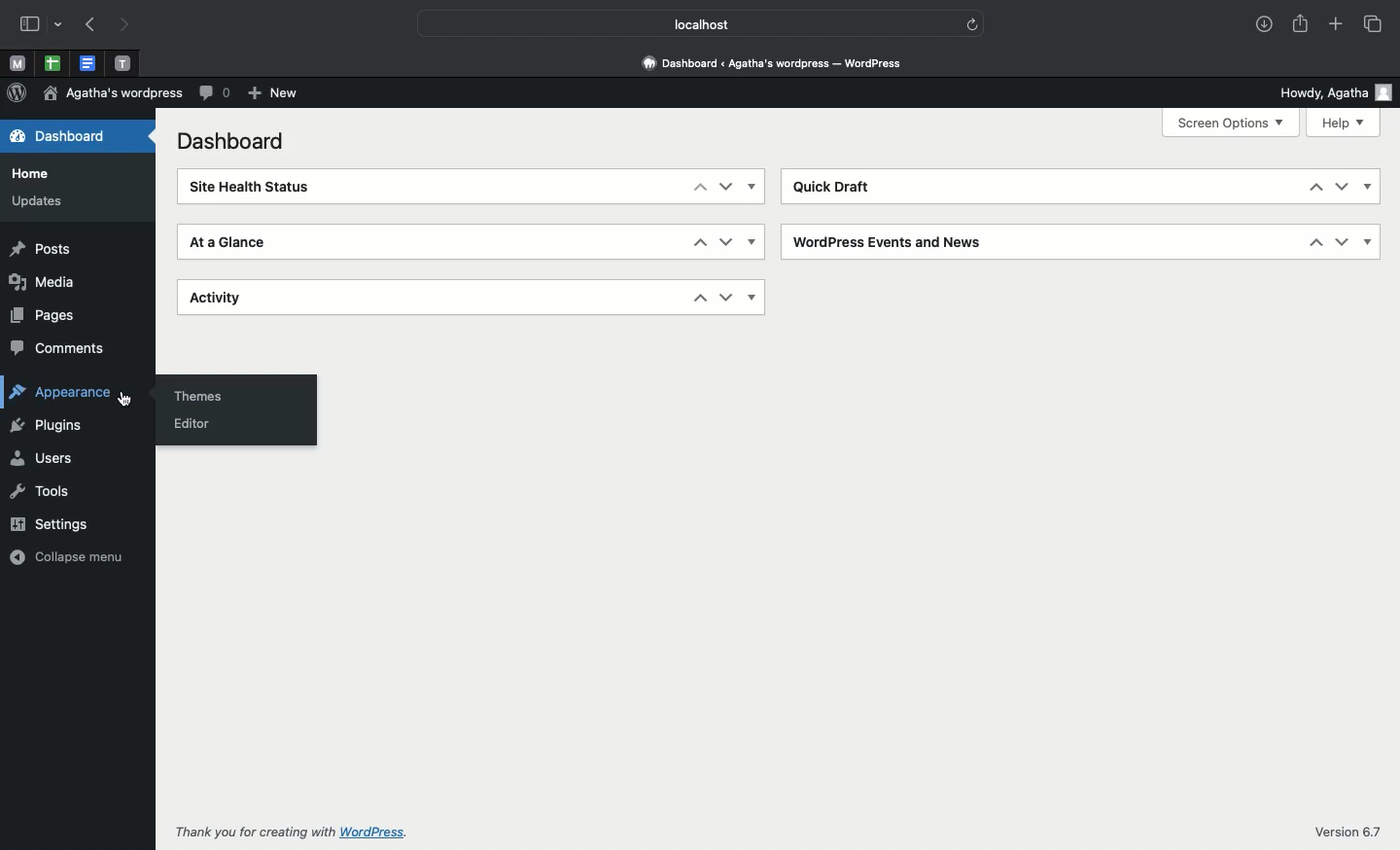 The height and width of the screenshot is (850, 1400). I want to click on Show, so click(753, 187).